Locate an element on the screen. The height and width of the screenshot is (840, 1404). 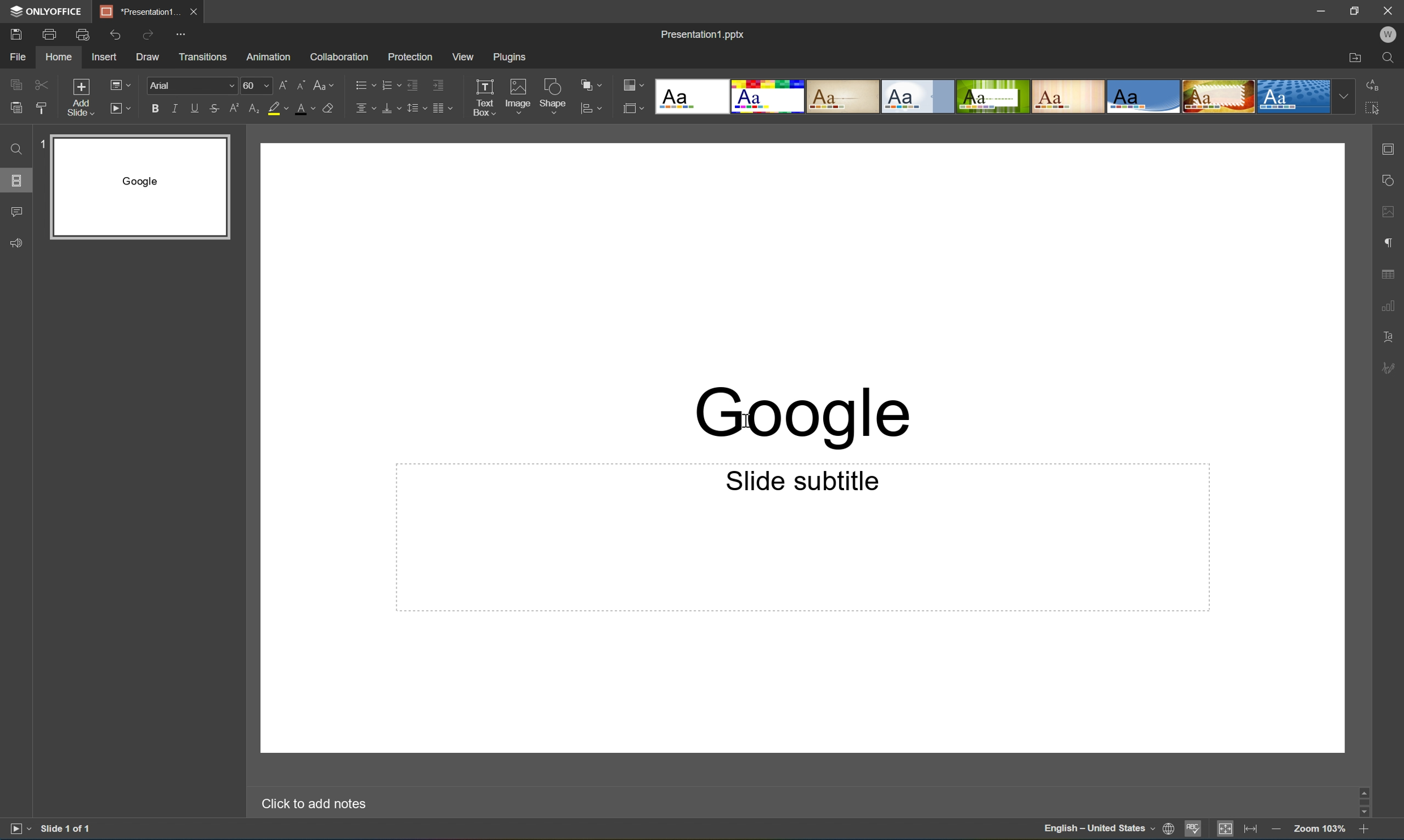
Font color is located at coordinates (306, 109).